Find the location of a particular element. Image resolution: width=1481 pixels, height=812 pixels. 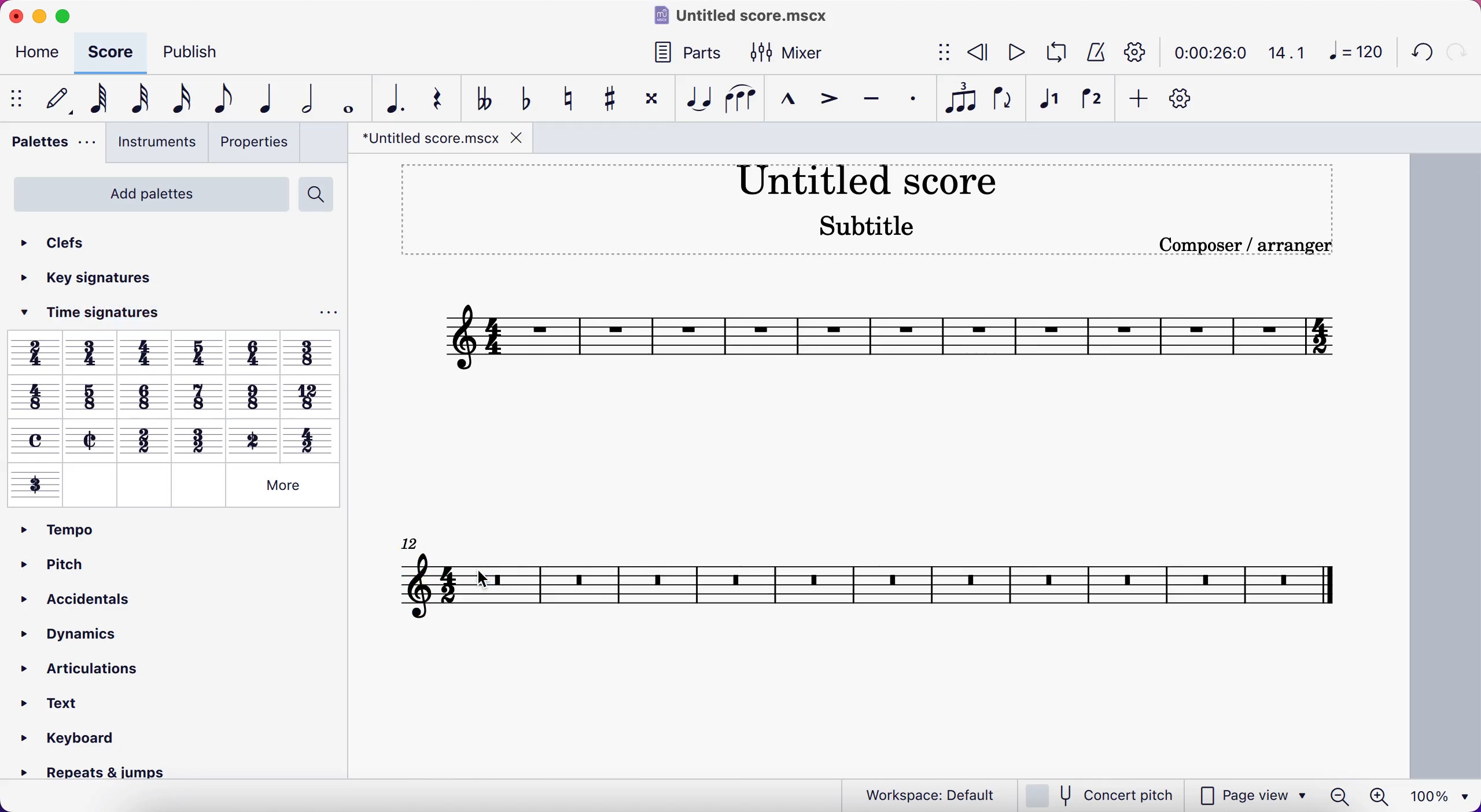

zoom out is located at coordinates (1342, 796).